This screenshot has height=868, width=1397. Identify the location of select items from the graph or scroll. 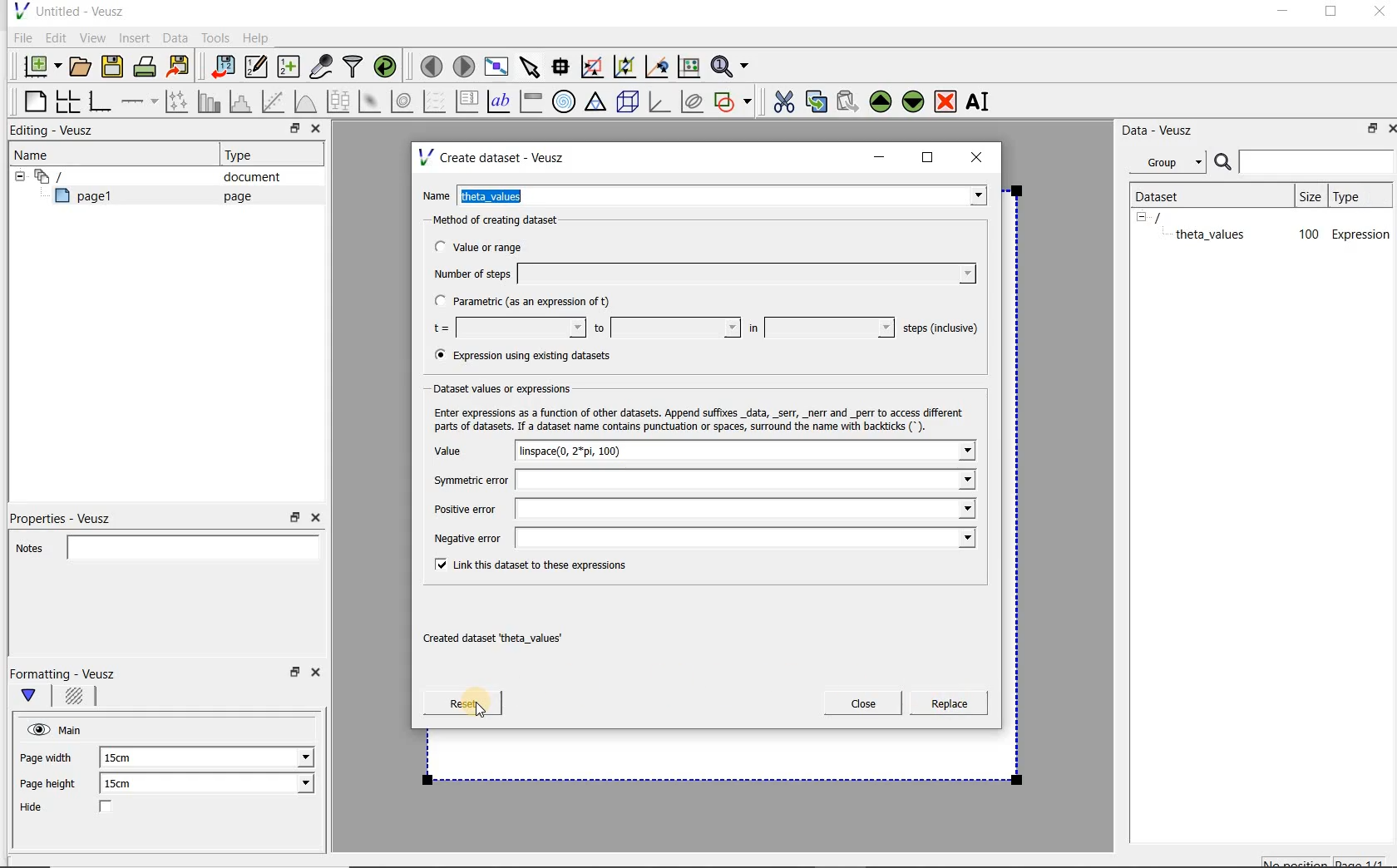
(529, 65).